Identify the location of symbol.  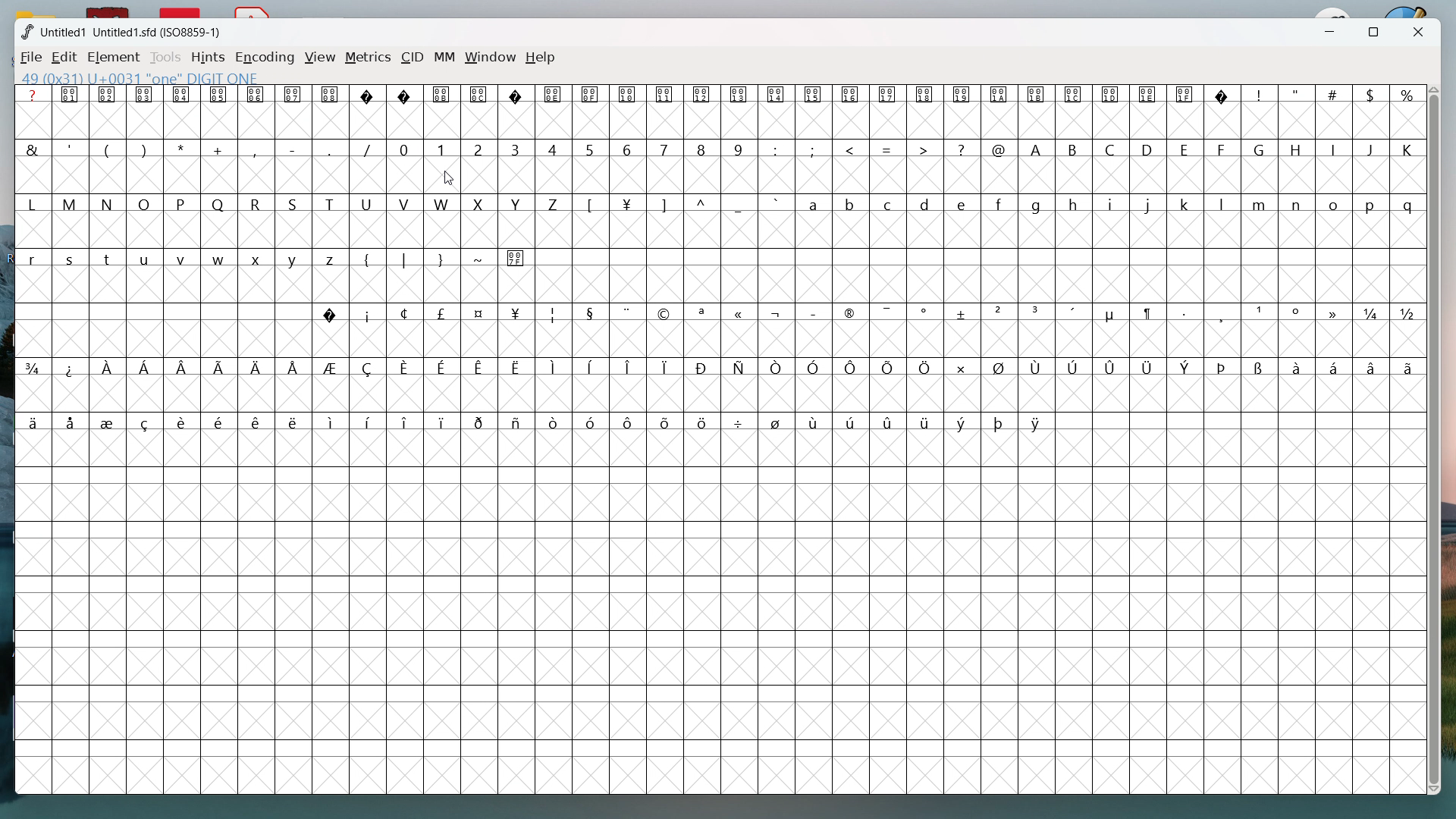
(405, 313).